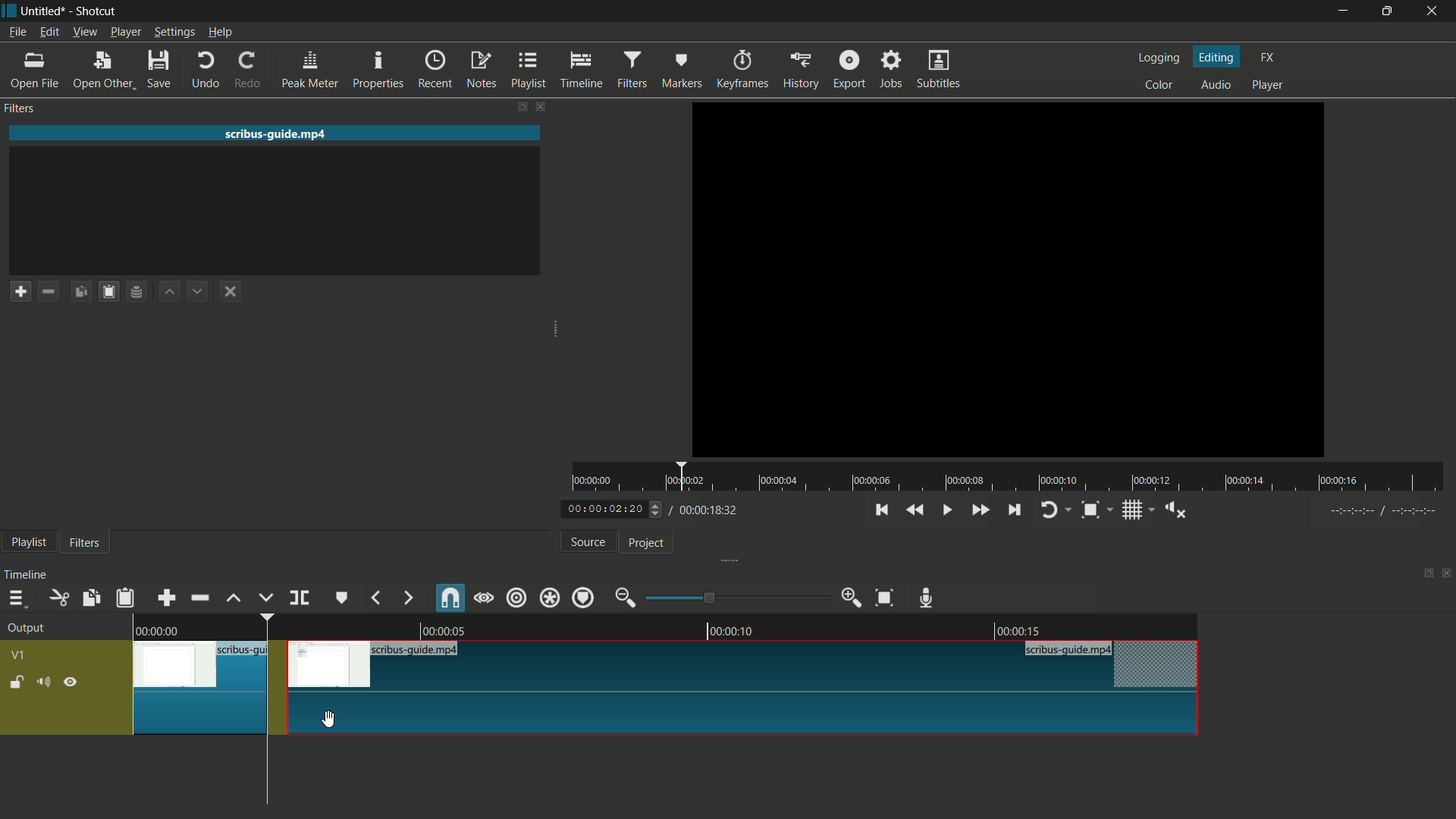  Describe the element at coordinates (125, 32) in the screenshot. I see `player menu` at that location.